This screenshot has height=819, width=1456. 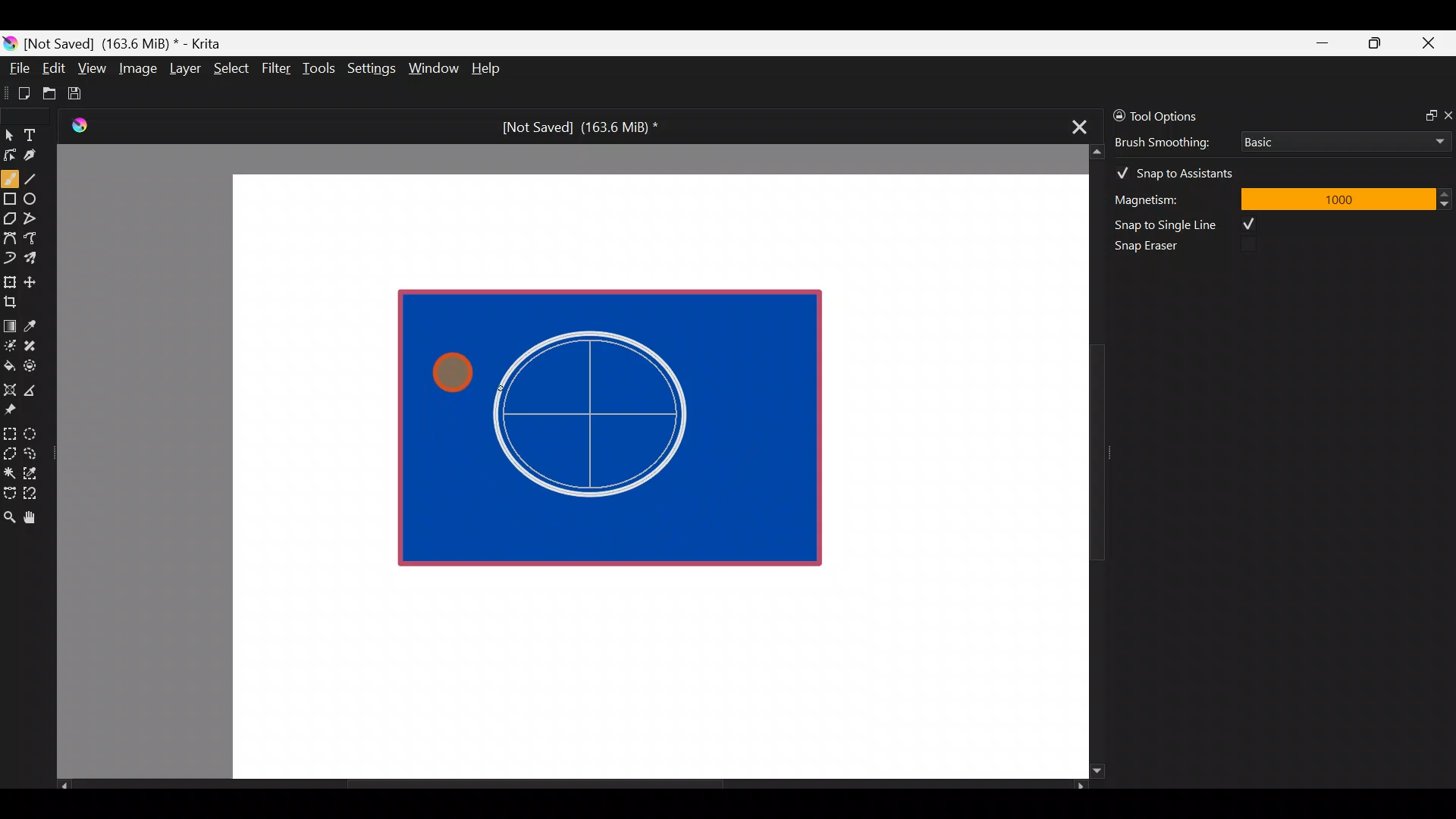 I want to click on Scroll bar, so click(x=1086, y=462).